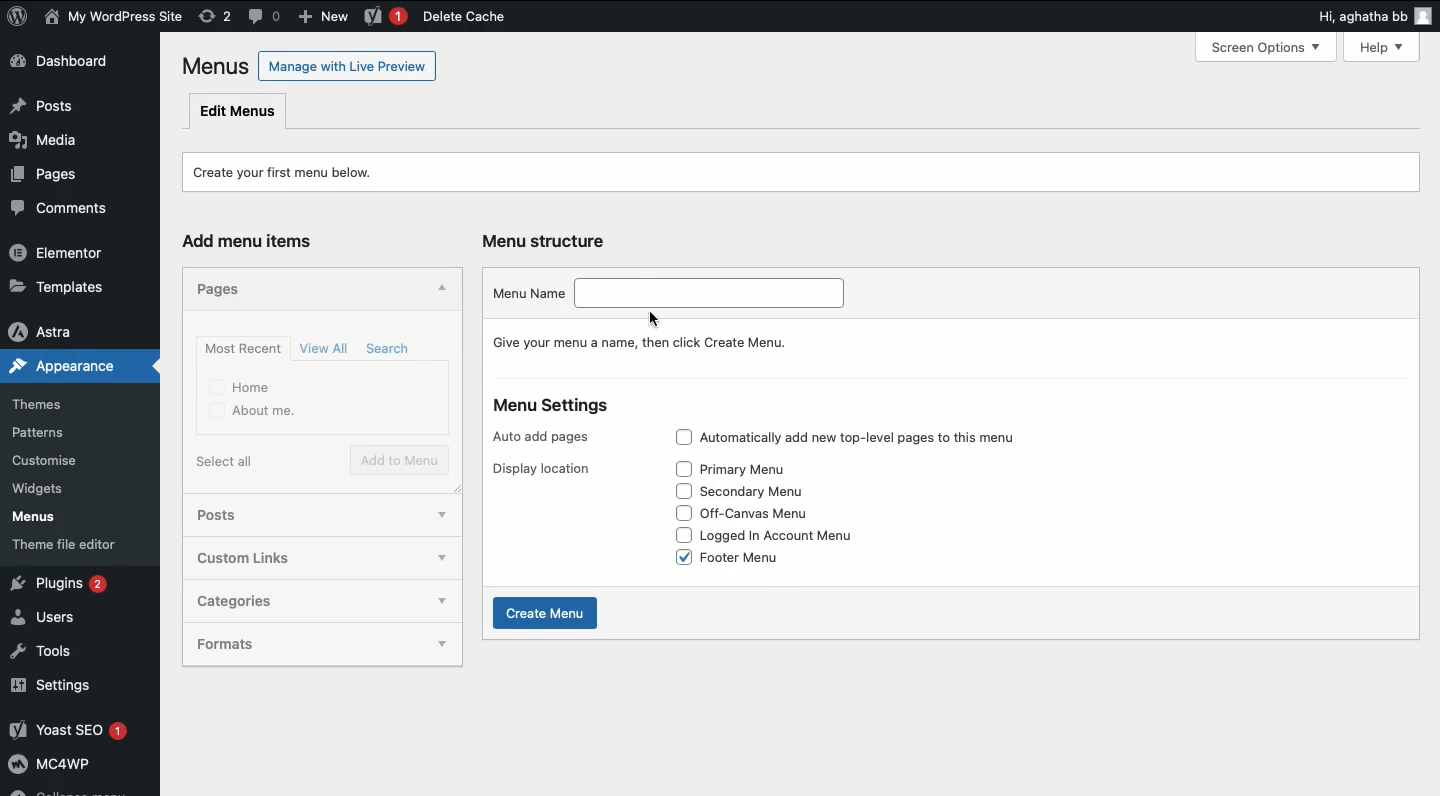  Describe the element at coordinates (71, 64) in the screenshot. I see `Dashboard` at that location.